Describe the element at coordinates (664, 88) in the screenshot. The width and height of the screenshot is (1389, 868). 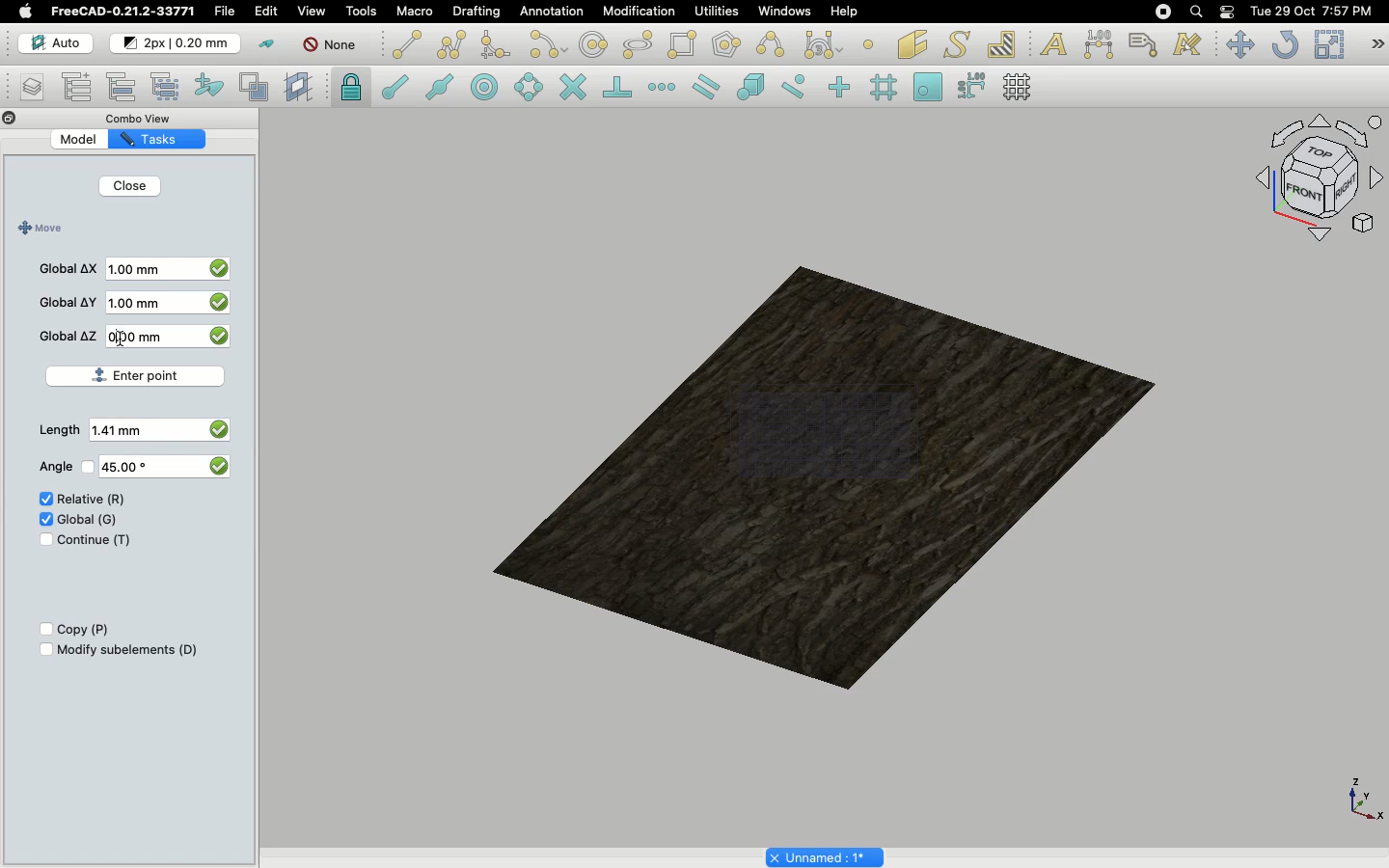
I see `Snap extension` at that location.